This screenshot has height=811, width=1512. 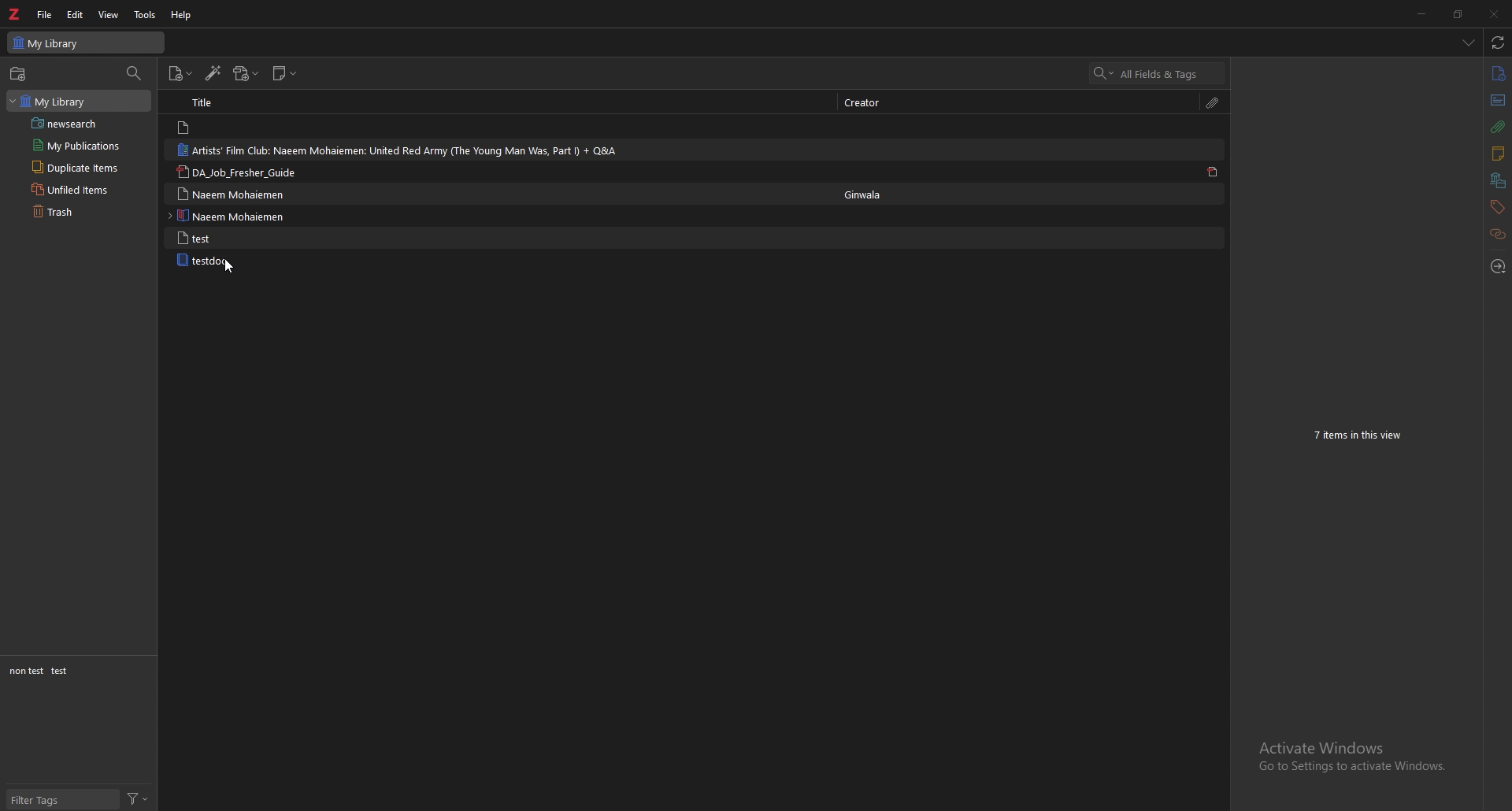 I want to click on view, so click(x=109, y=15).